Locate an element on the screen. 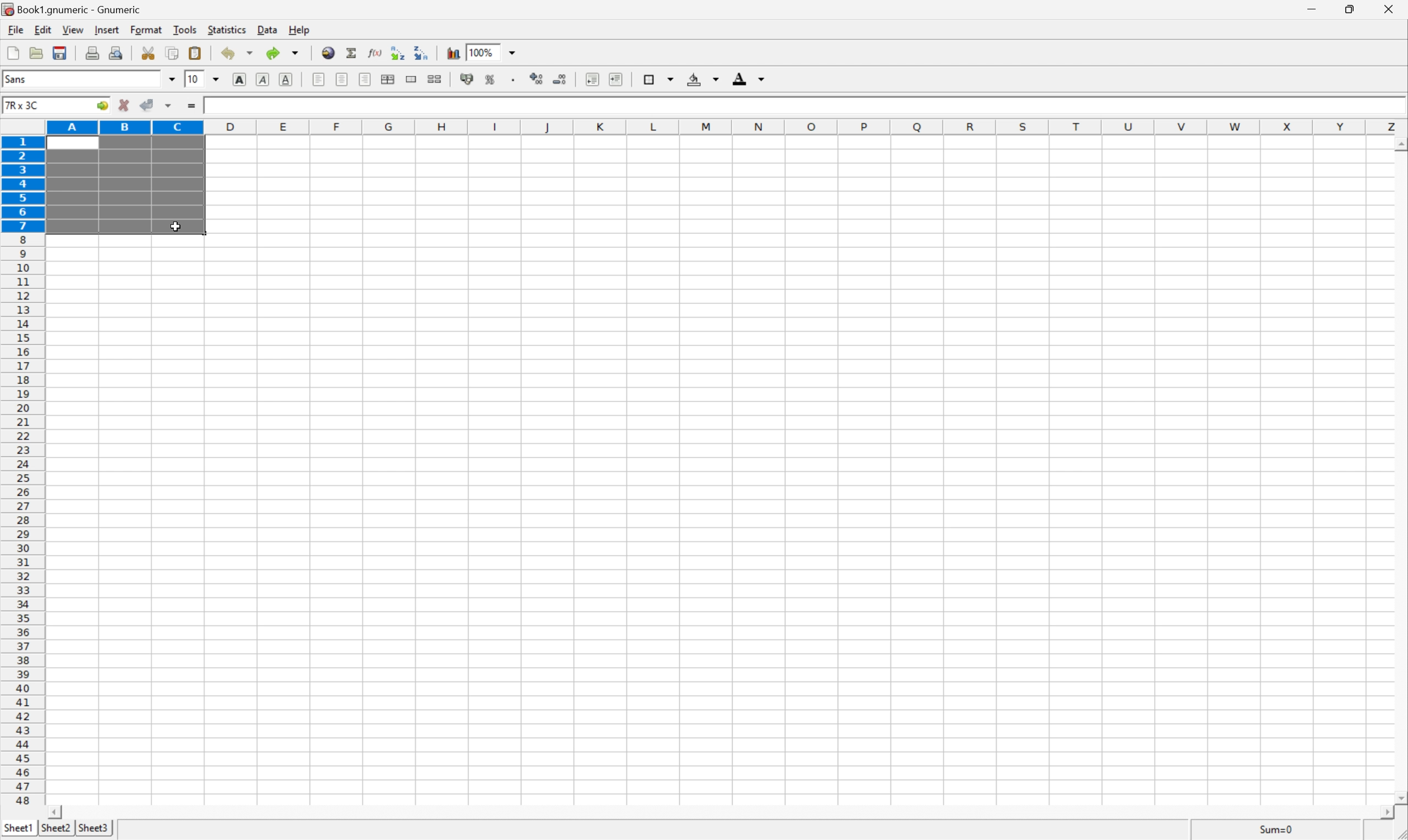 The image size is (1408, 840). sheet2 is located at coordinates (54, 831).